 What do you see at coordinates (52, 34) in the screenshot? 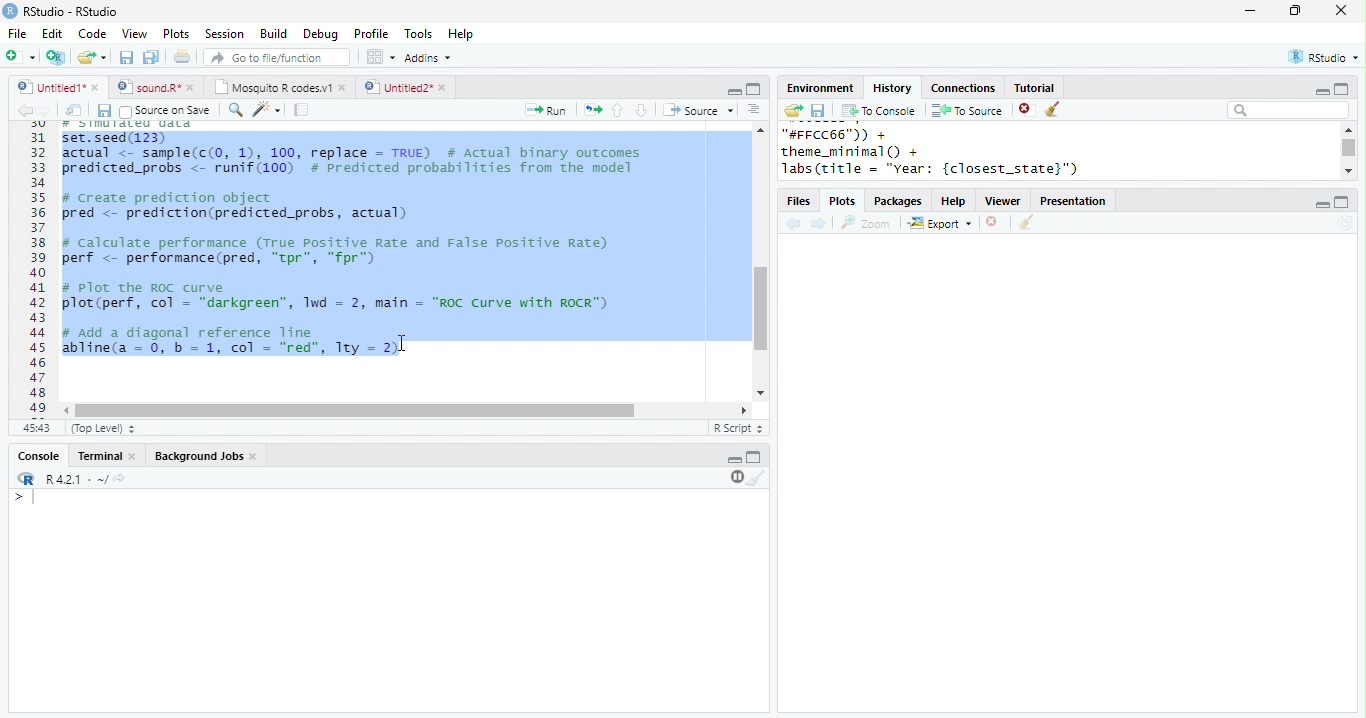
I see `Edit` at bounding box center [52, 34].